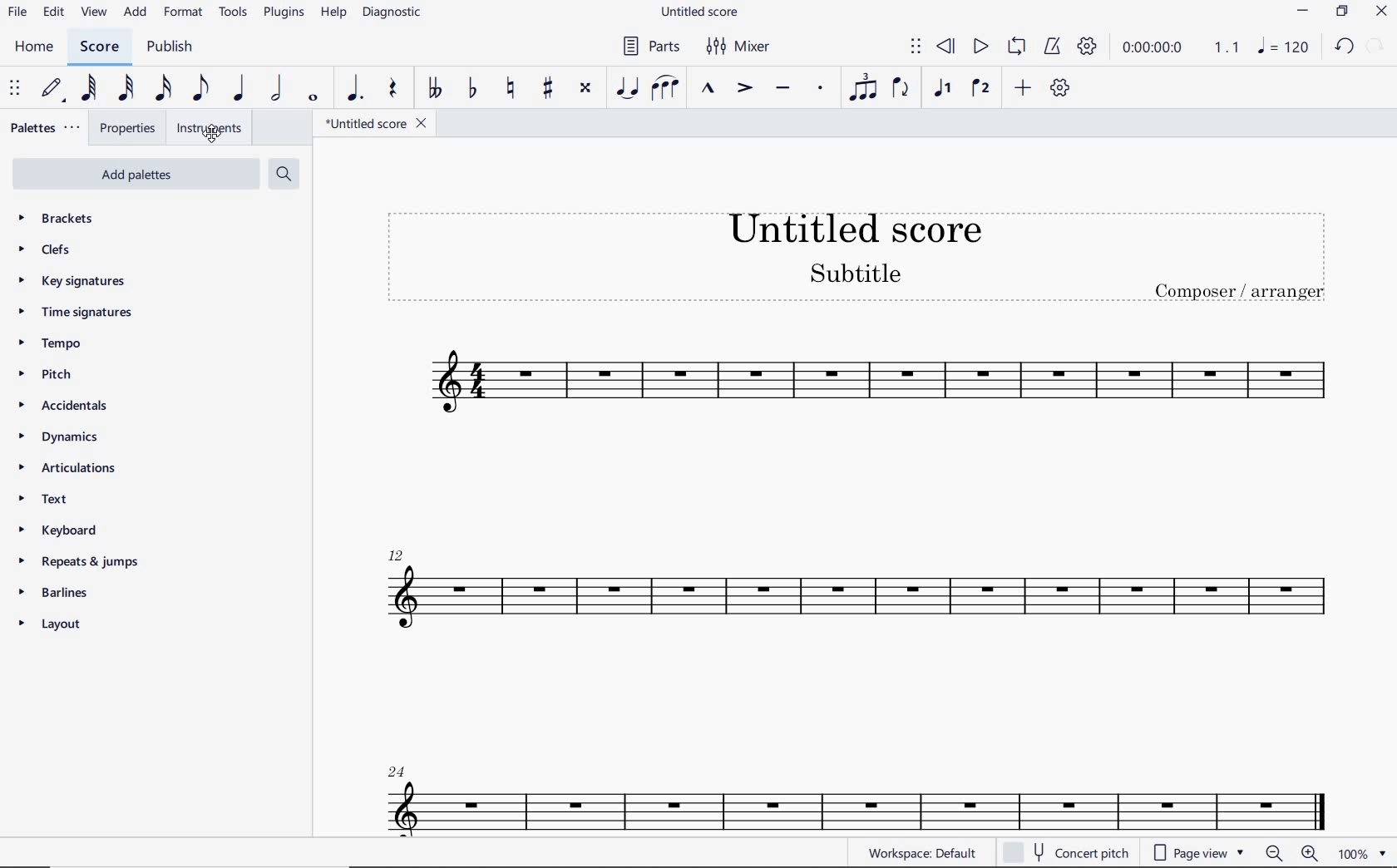 The image size is (1397, 868). Describe the element at coordinates (135, 14) in the screenshot. I see `ADD` at that location.